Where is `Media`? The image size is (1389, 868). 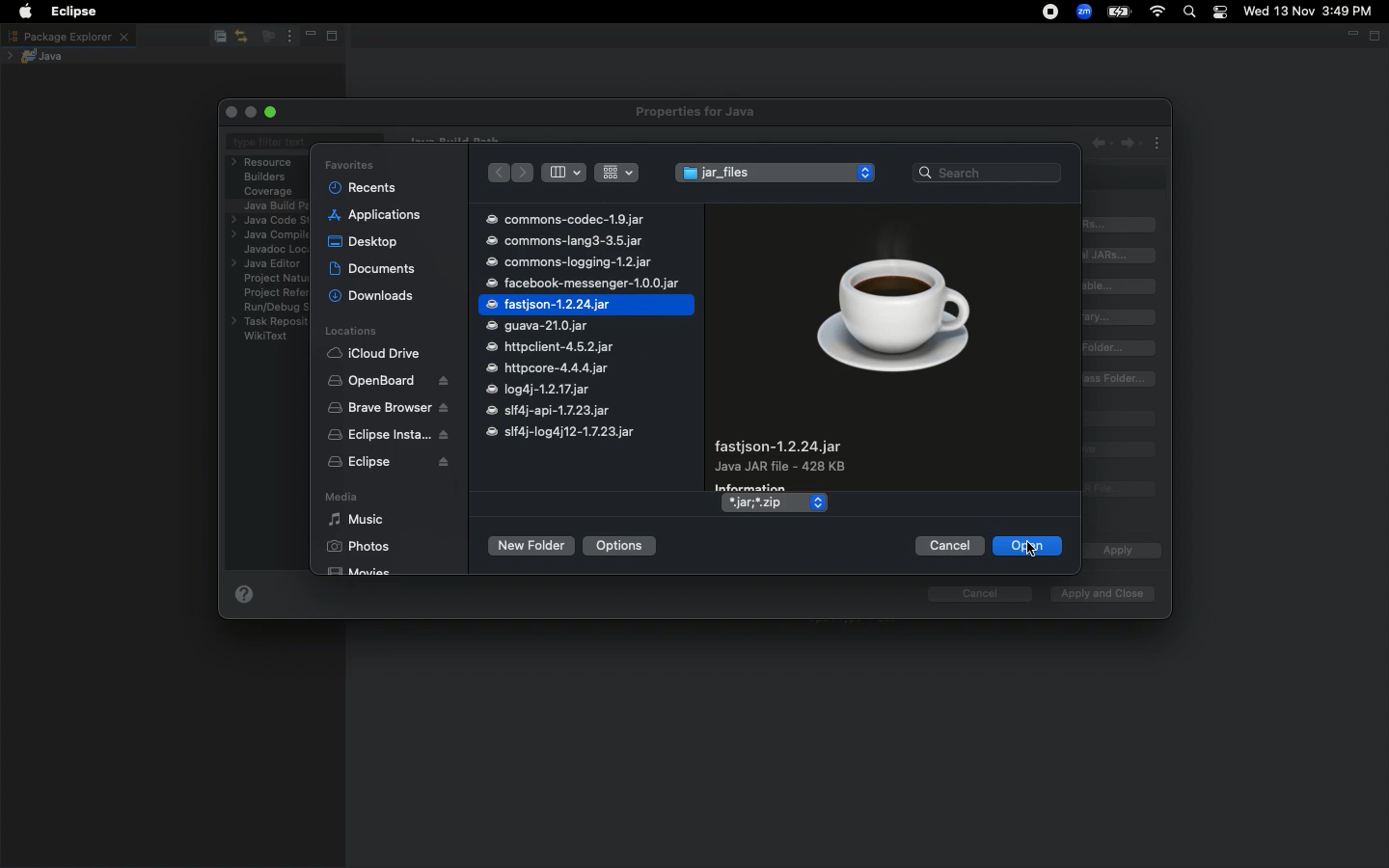
Media is located at coordinates (340, 499).